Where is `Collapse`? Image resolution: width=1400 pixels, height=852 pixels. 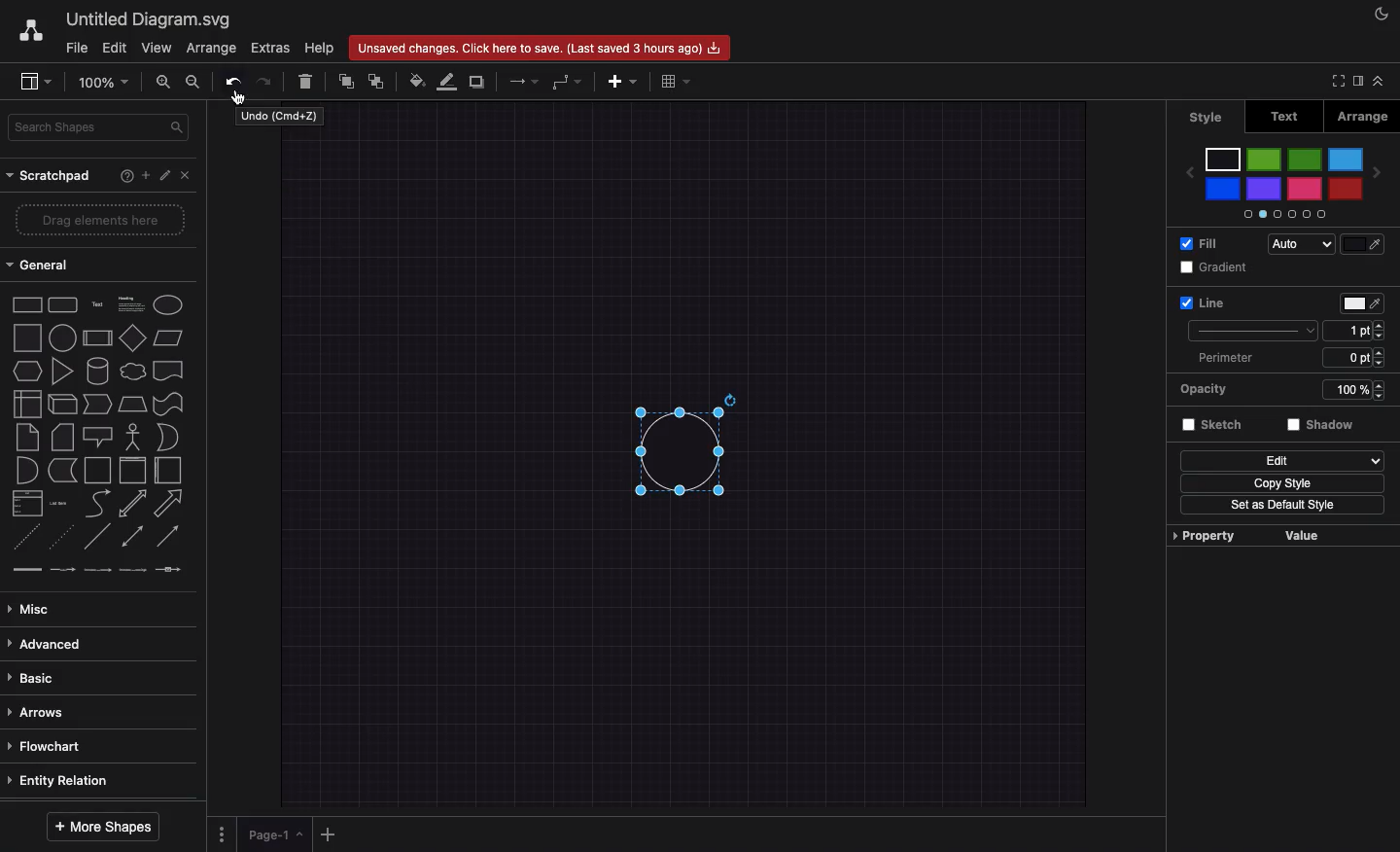
Collapse is located at coordinates (1382, 80).